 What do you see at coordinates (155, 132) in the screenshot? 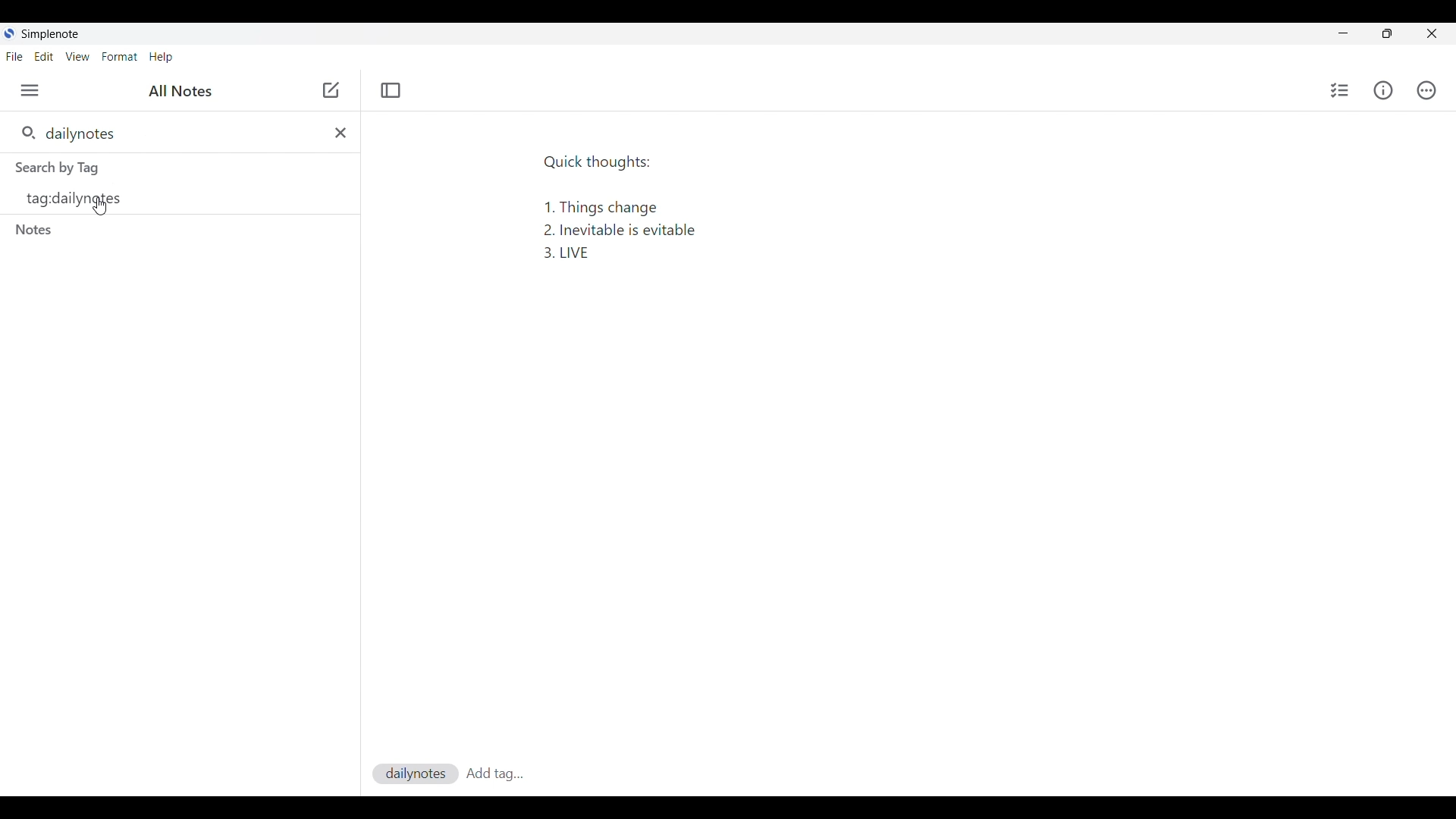
I see `Search` at bounding box center [155, 132].